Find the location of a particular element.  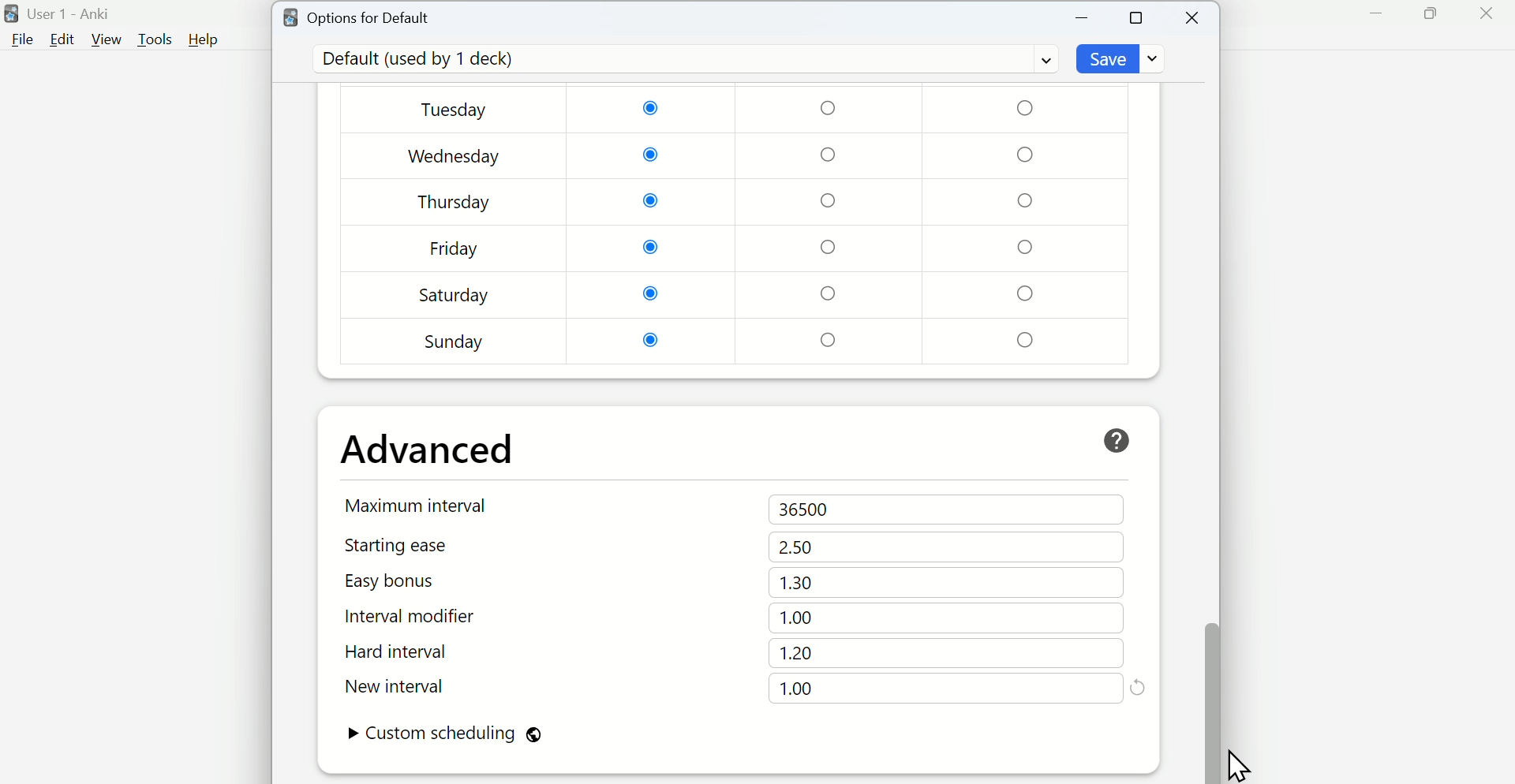

Edit is located at coordinates (62, 39).